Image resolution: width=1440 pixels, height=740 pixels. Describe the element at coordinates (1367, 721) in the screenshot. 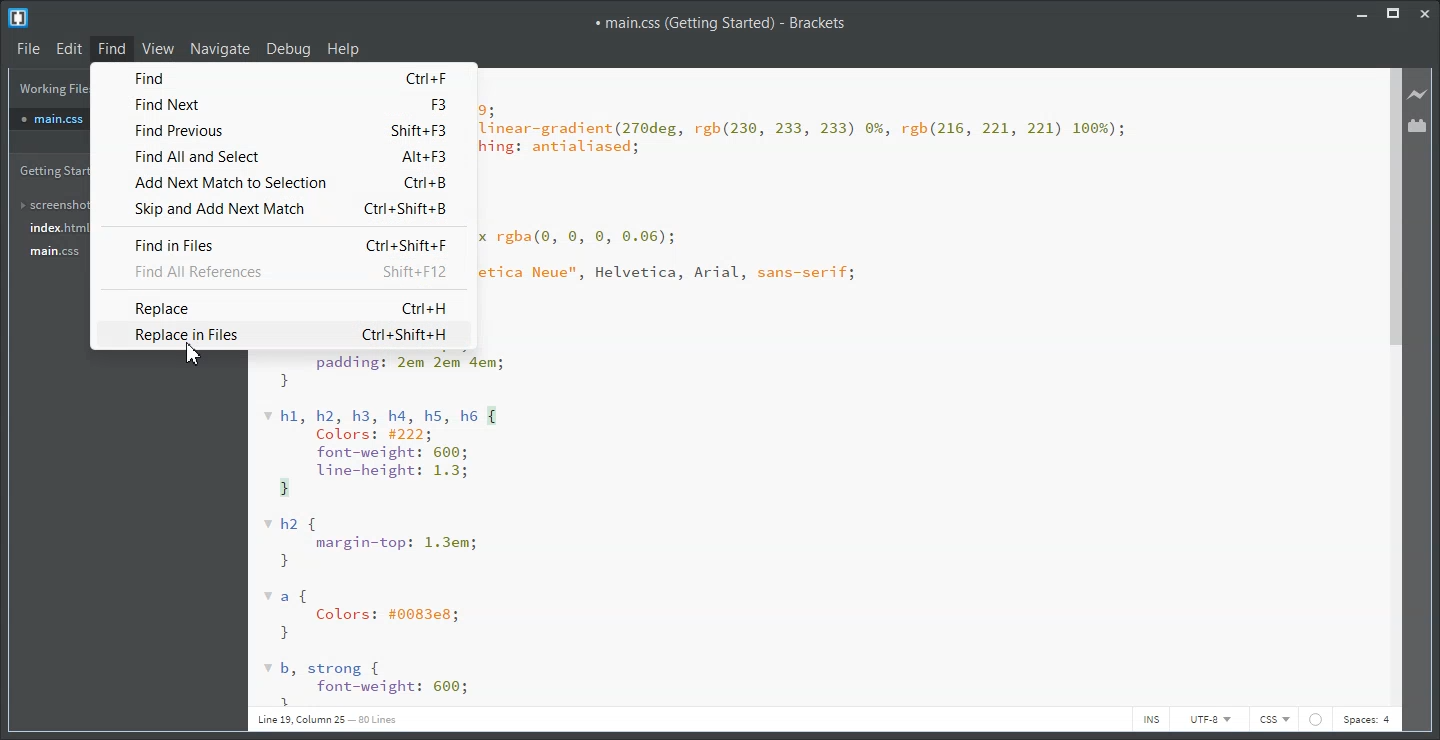

I see `Spaces: 4` at that location.